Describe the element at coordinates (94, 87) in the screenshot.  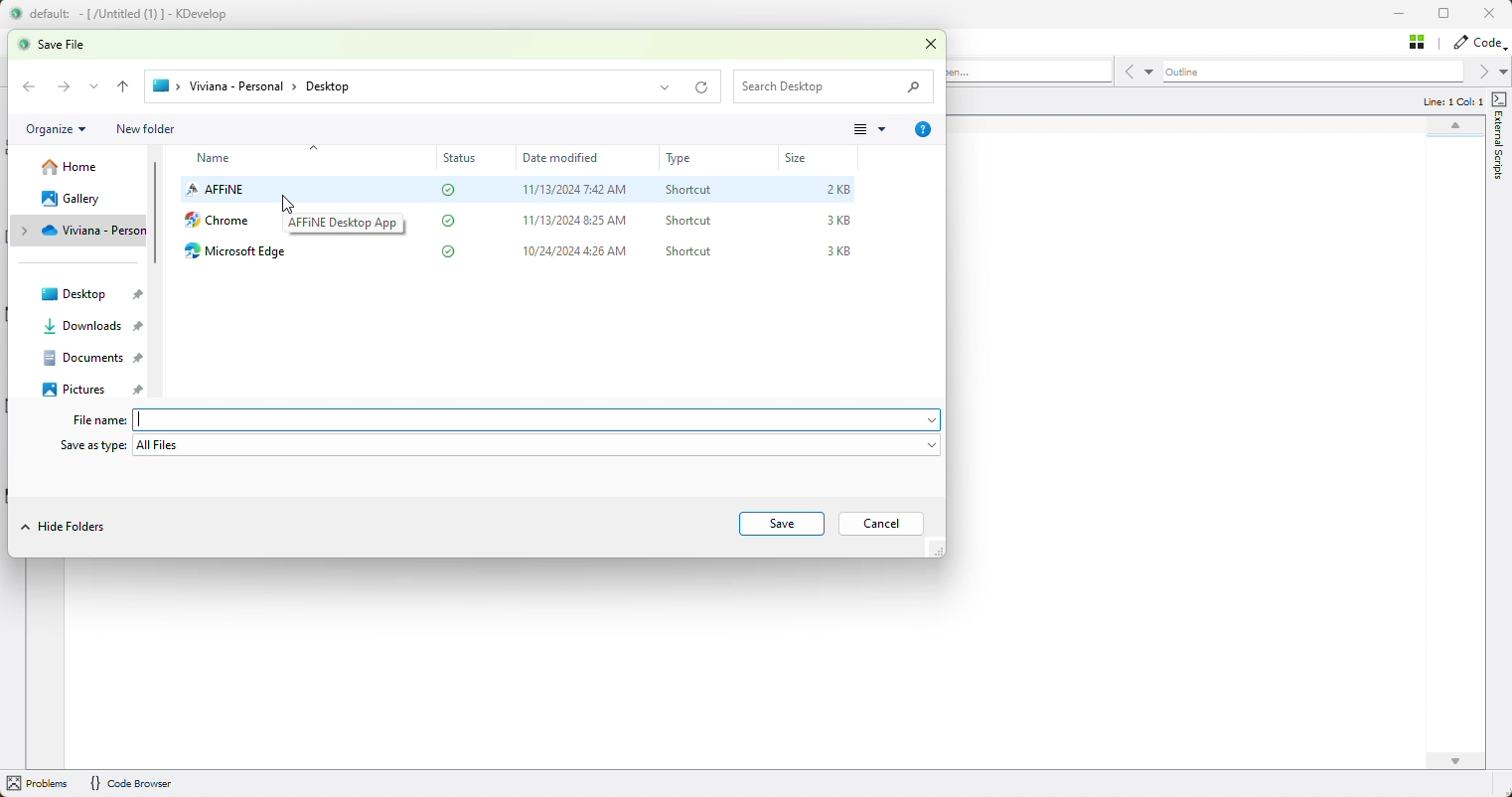
I see `dropdown` at that location.